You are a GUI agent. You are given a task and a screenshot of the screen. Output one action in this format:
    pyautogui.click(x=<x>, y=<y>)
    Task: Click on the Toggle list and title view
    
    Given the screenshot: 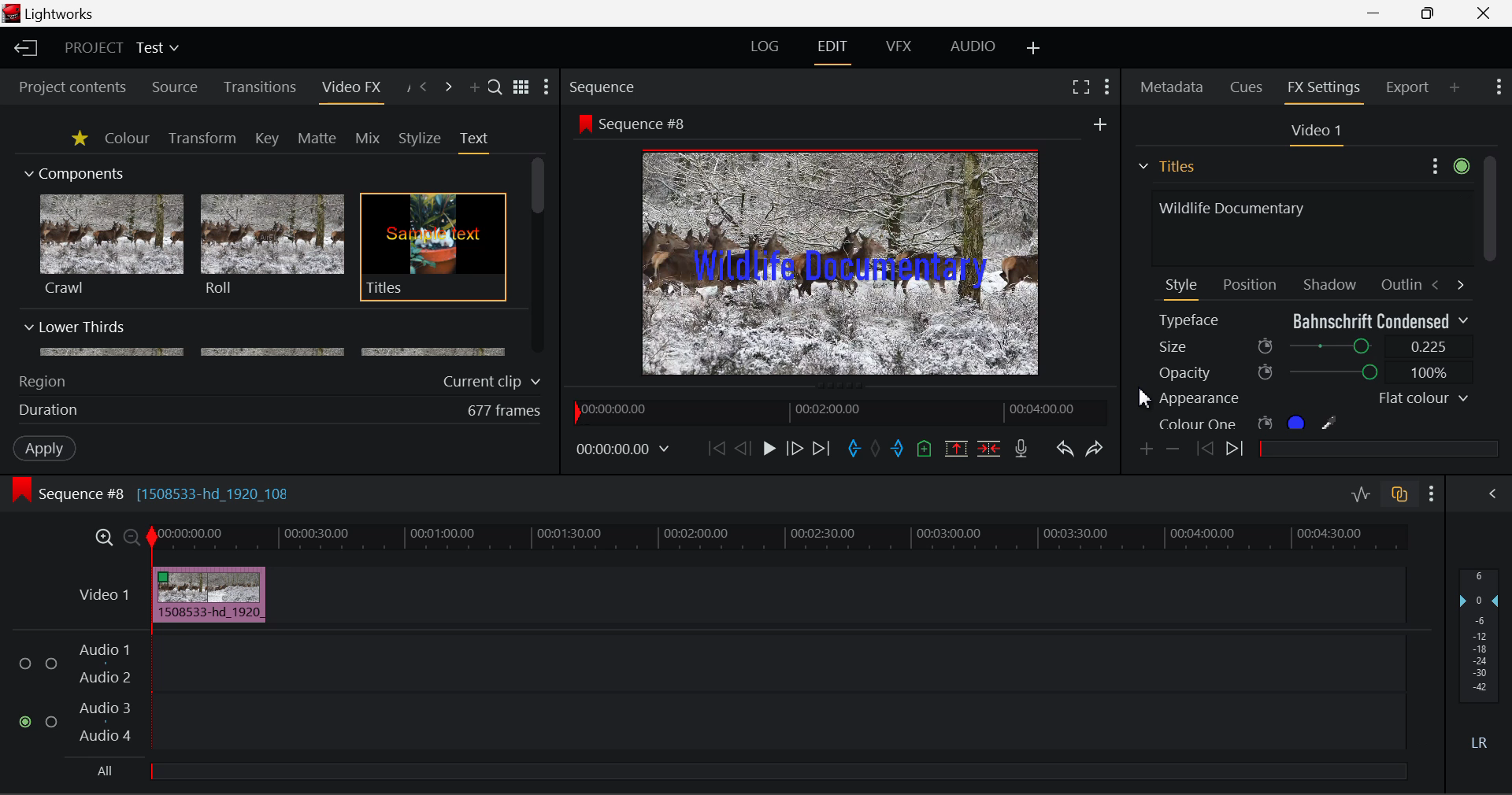 What is the action you would take?
    pyautogui.click(x=523, y=87)
    